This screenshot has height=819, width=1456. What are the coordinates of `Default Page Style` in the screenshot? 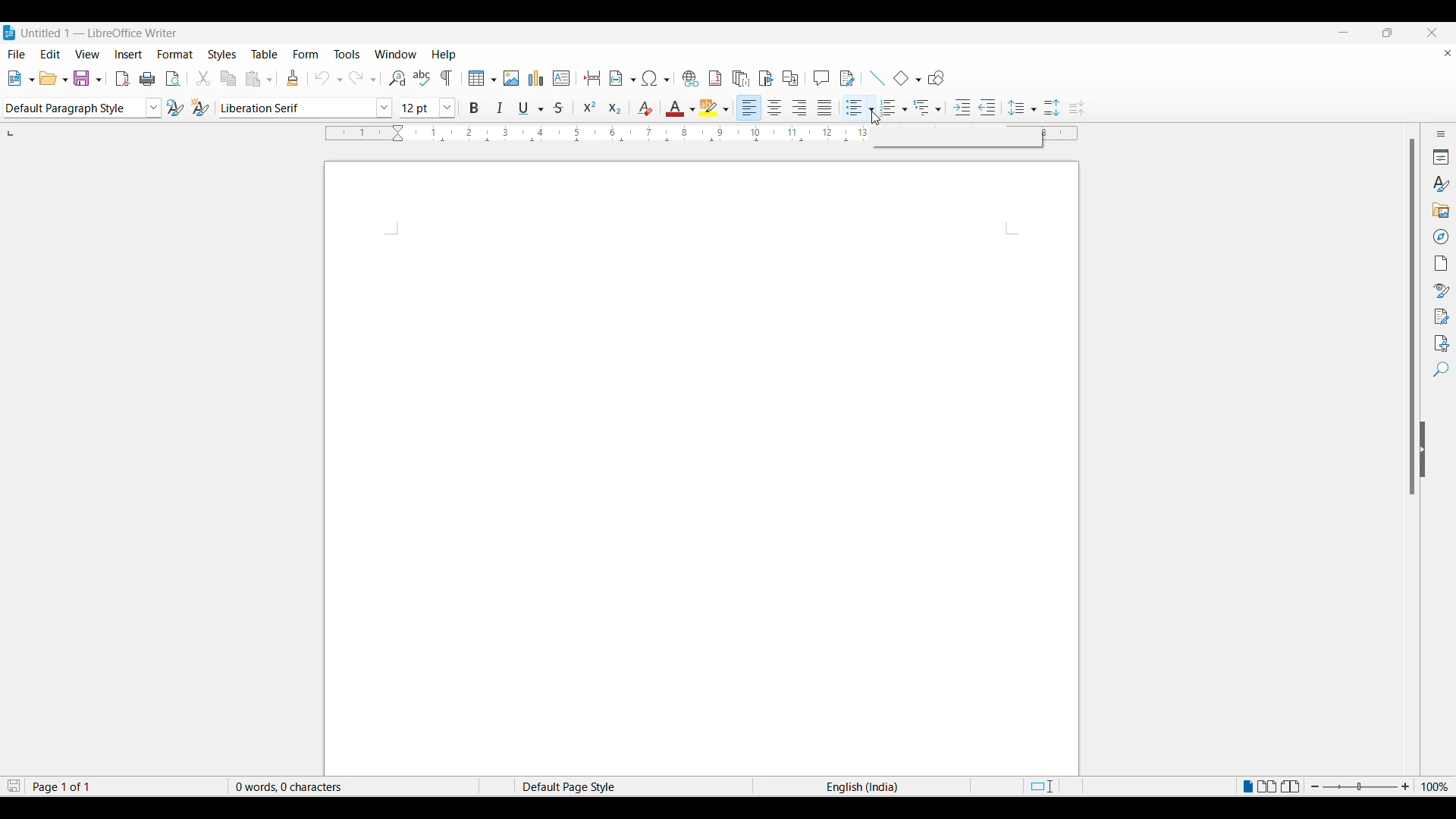 It's located at (572, 786).